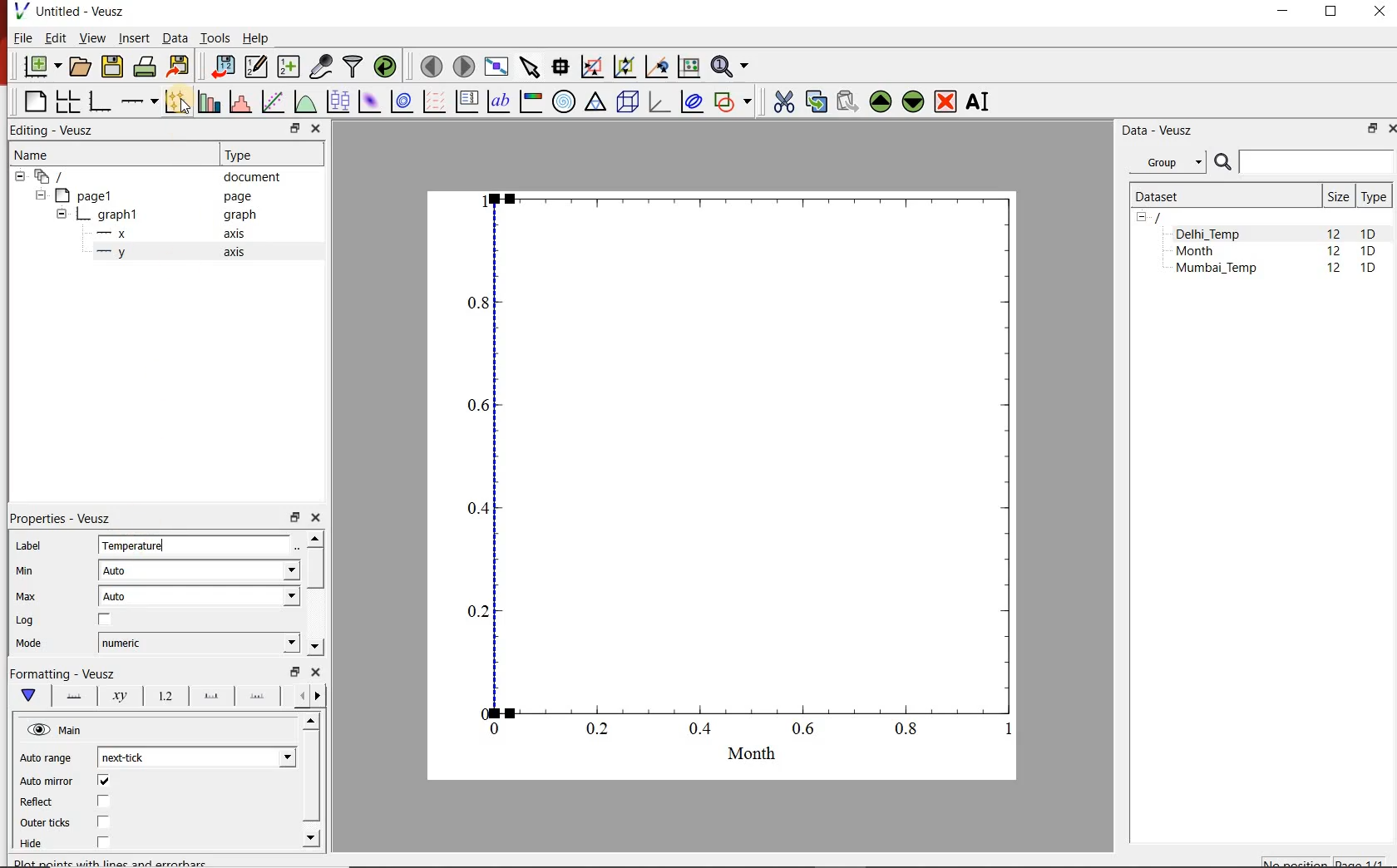 This screenshot has width=1397, height=868. Describe the element at coordinates (315, 672) in the screenshot. I see `close` at that location.